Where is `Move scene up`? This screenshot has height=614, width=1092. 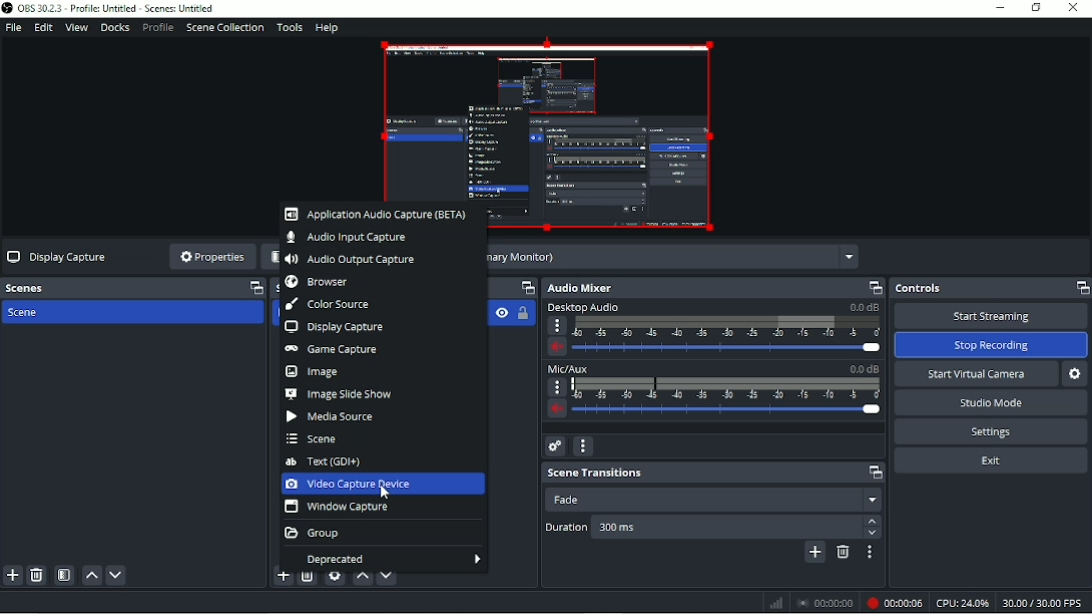 Move scene up is located at coordinates (90, 577).